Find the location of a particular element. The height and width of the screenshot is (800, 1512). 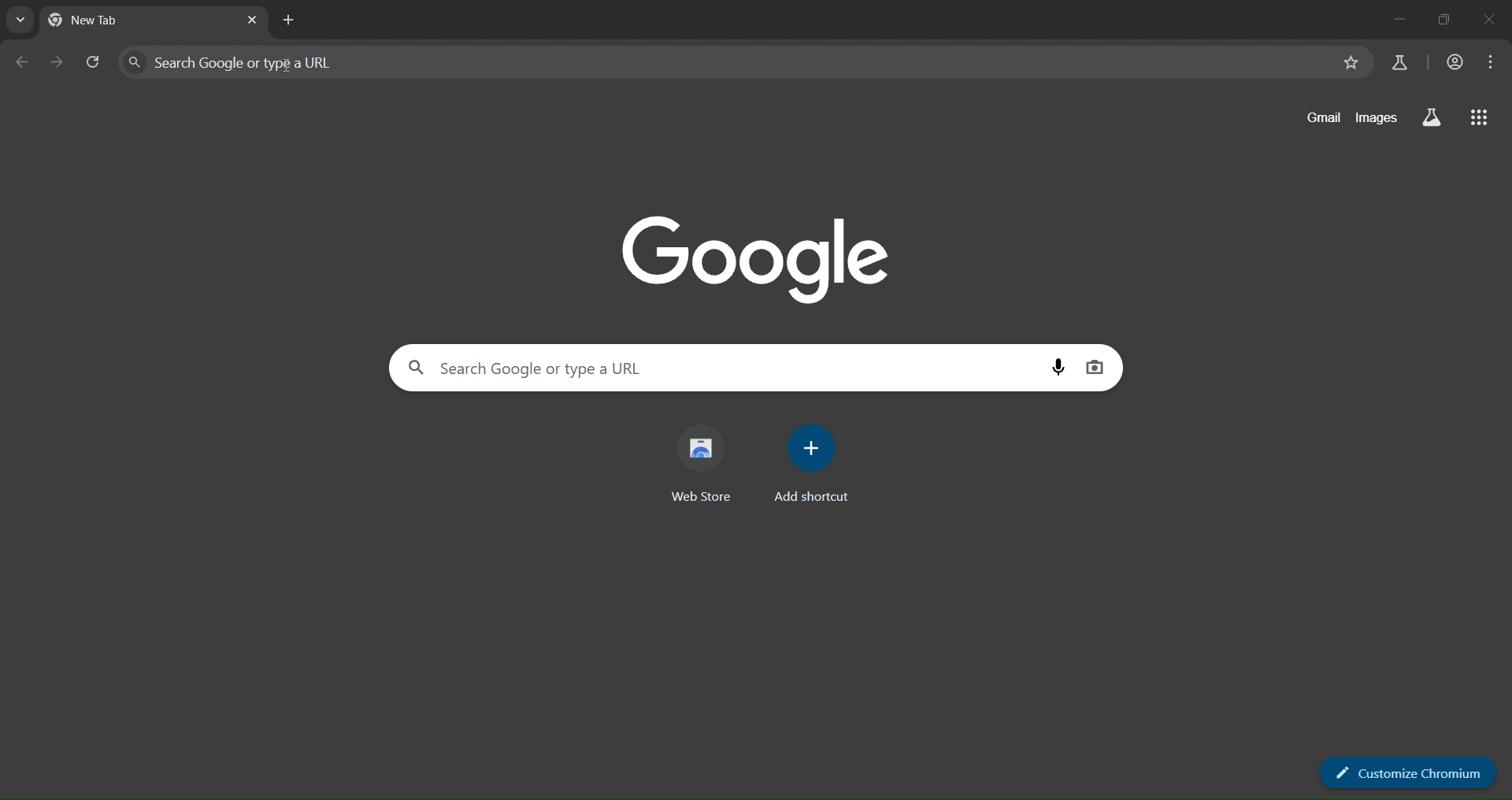

cursor is located at coordinates (289, 68).